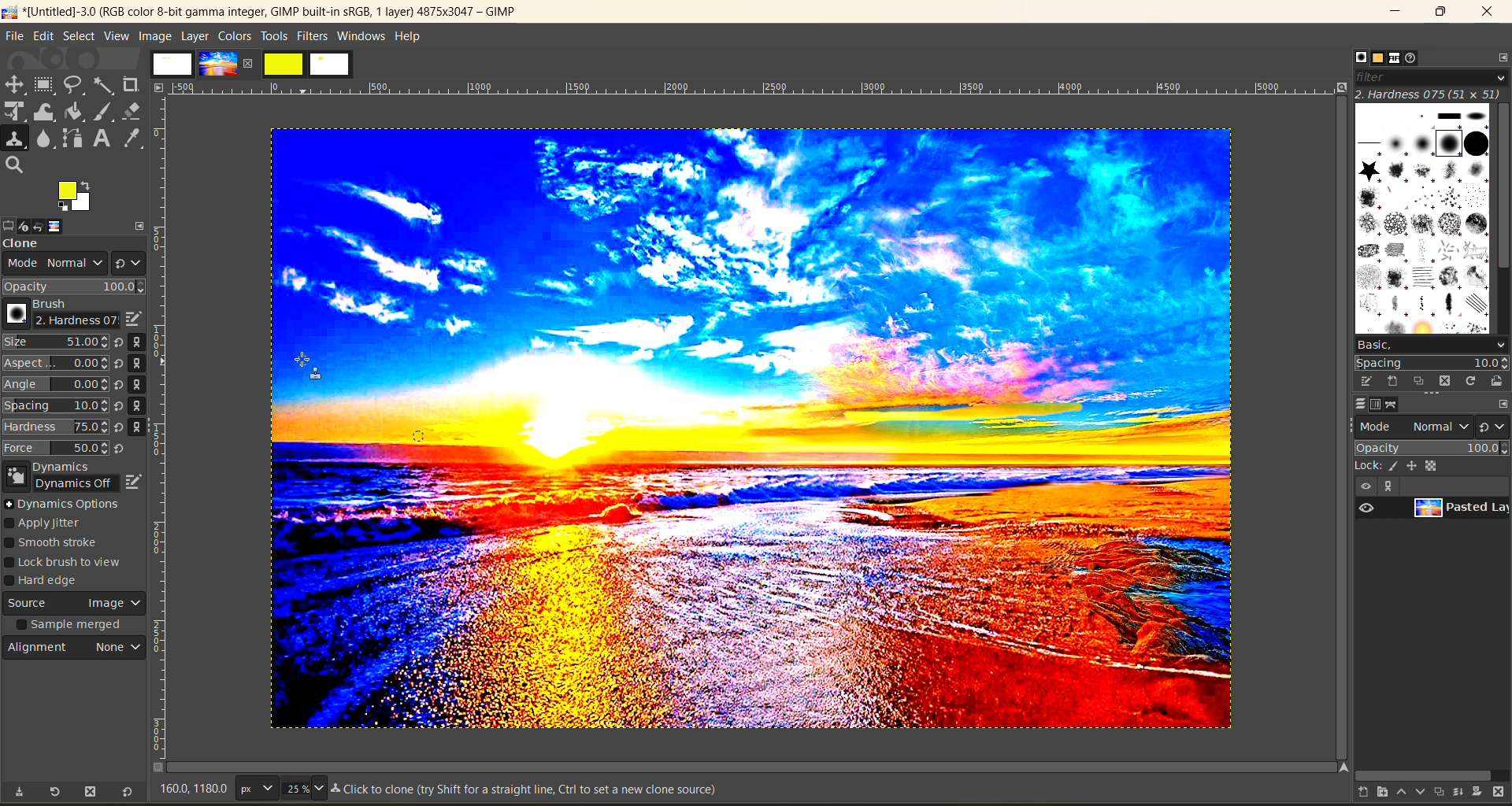 This screenshot has width=1512, height=806. What do you see at coordinates (314, 35) in the screenshot?
I see `filters` at bounding box center [314, 35].